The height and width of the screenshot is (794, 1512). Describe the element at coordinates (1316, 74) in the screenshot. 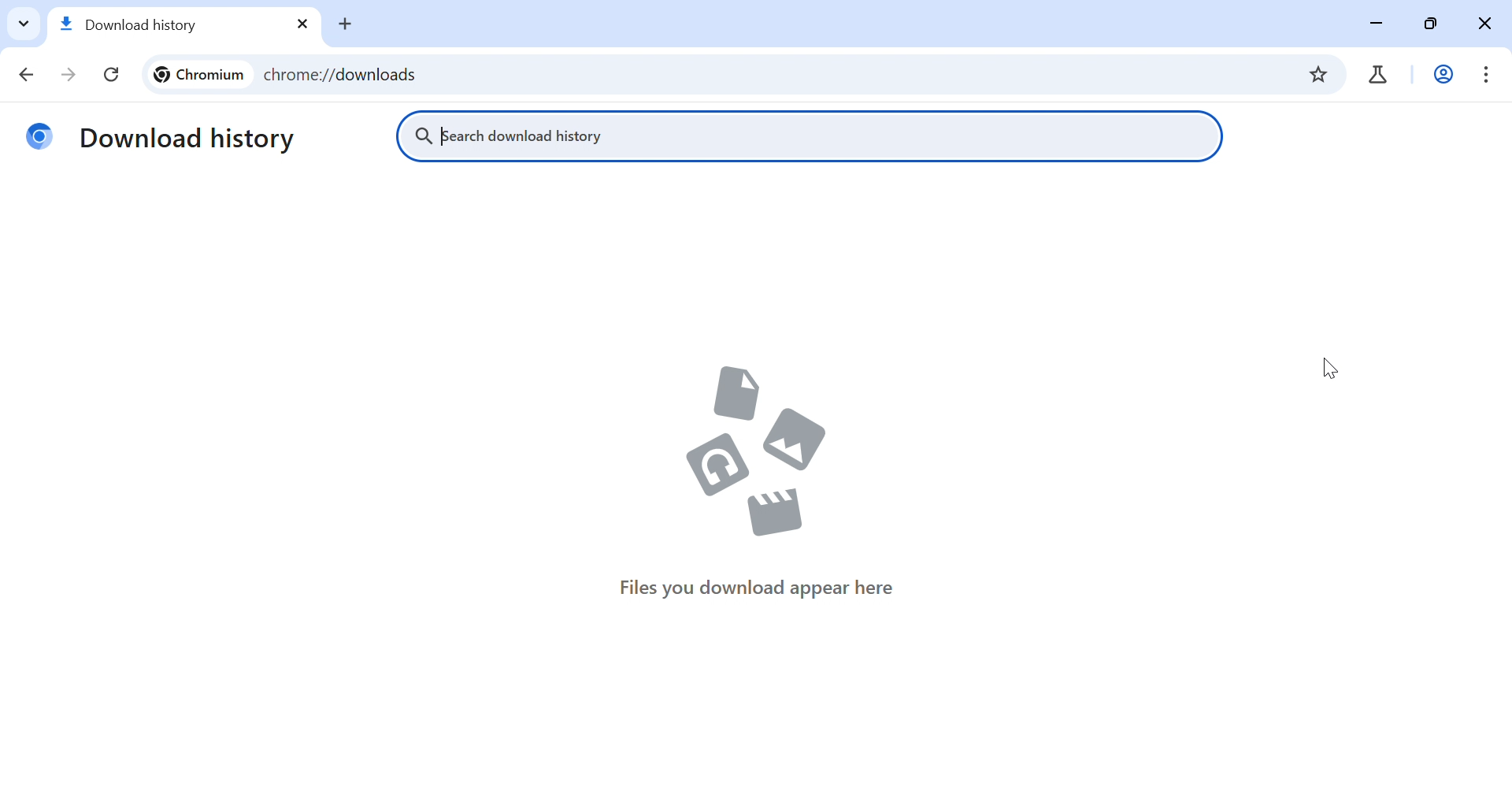

I see `Bookmark this tab` at that location.